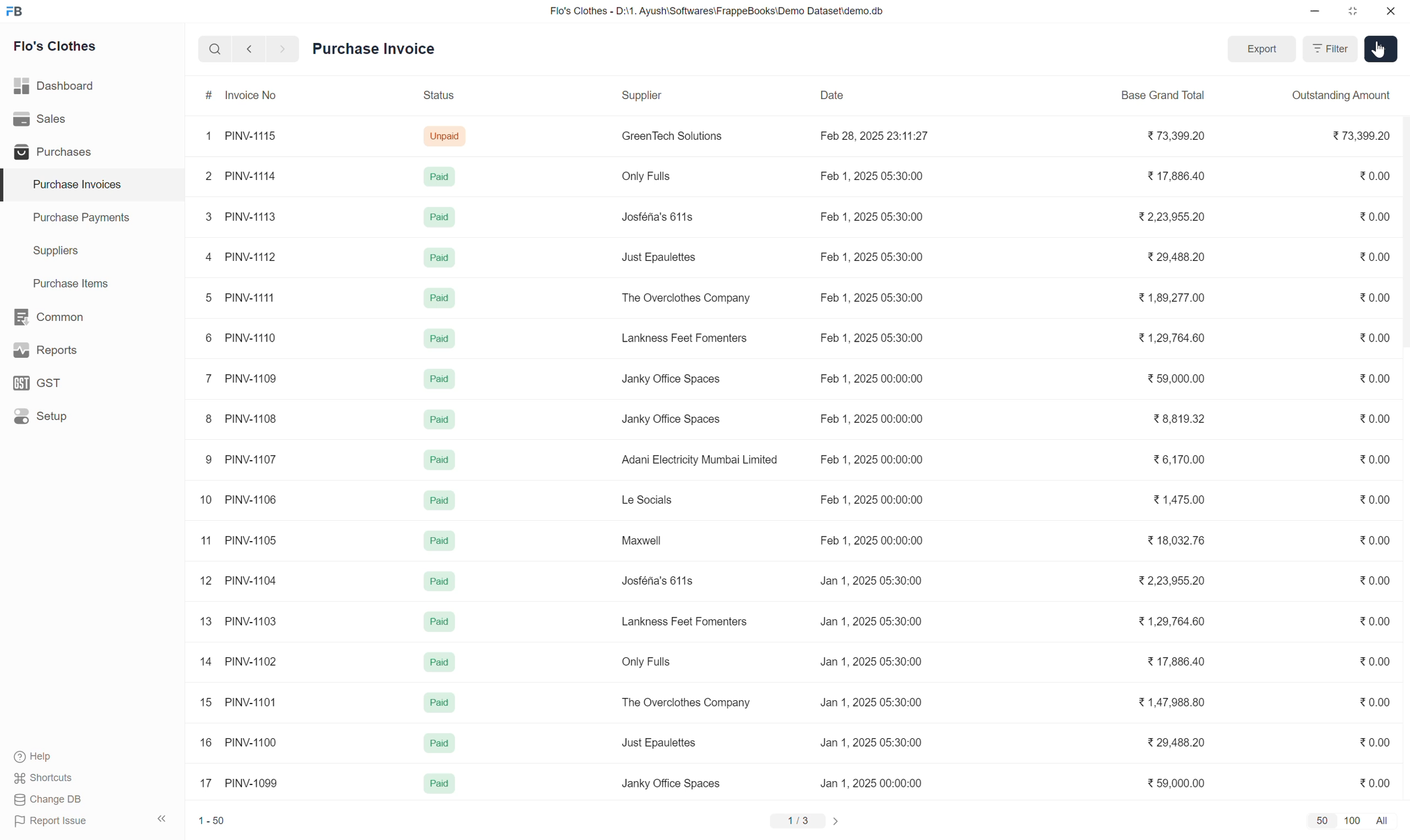 The height and width of the screenshot is (840, 1410). I want to click on 0:00, so click(1375, 581).